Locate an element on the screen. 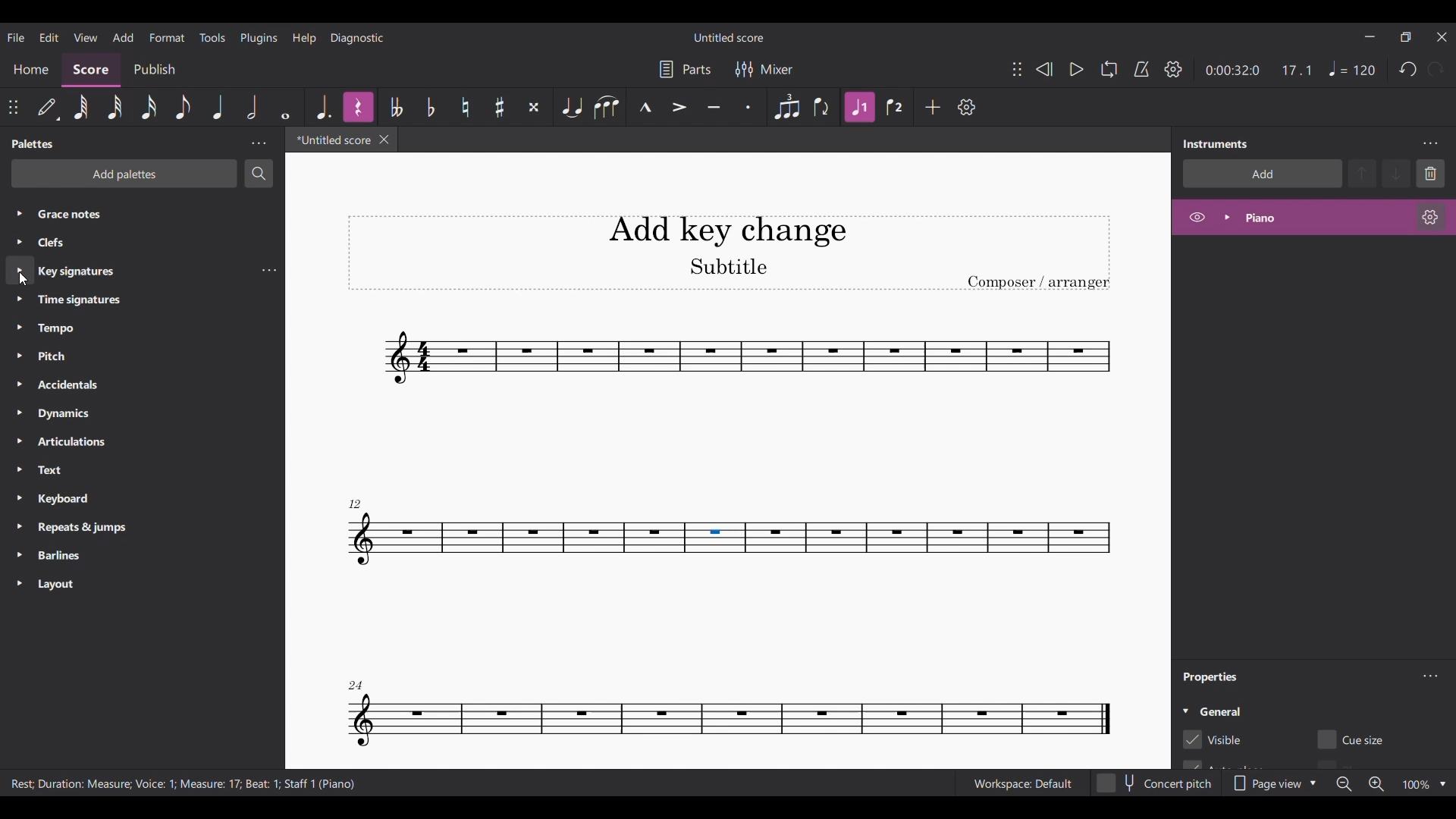 This screenshot has height=819, width=1456. Show interface in a smaller tab is located at coordinates (1405, 37).